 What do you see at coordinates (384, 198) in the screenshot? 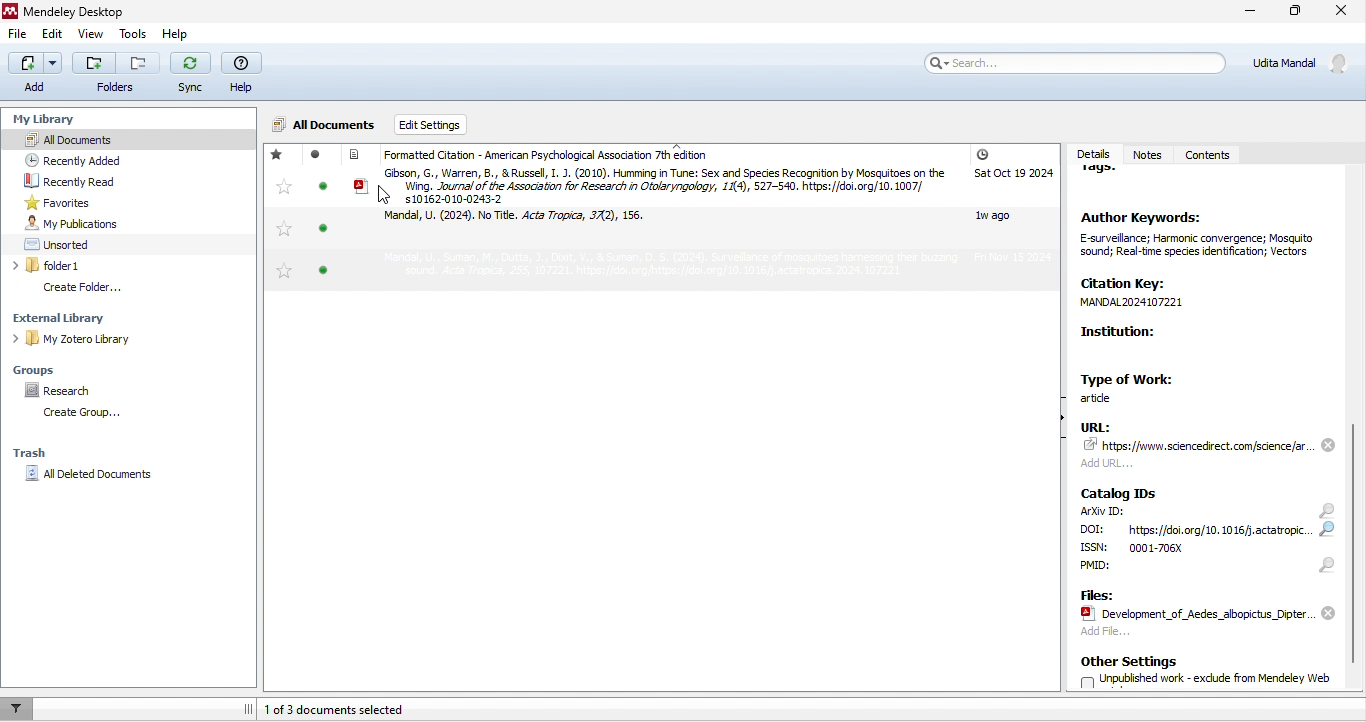
I see `cursor` at bounding box center [384, 198].